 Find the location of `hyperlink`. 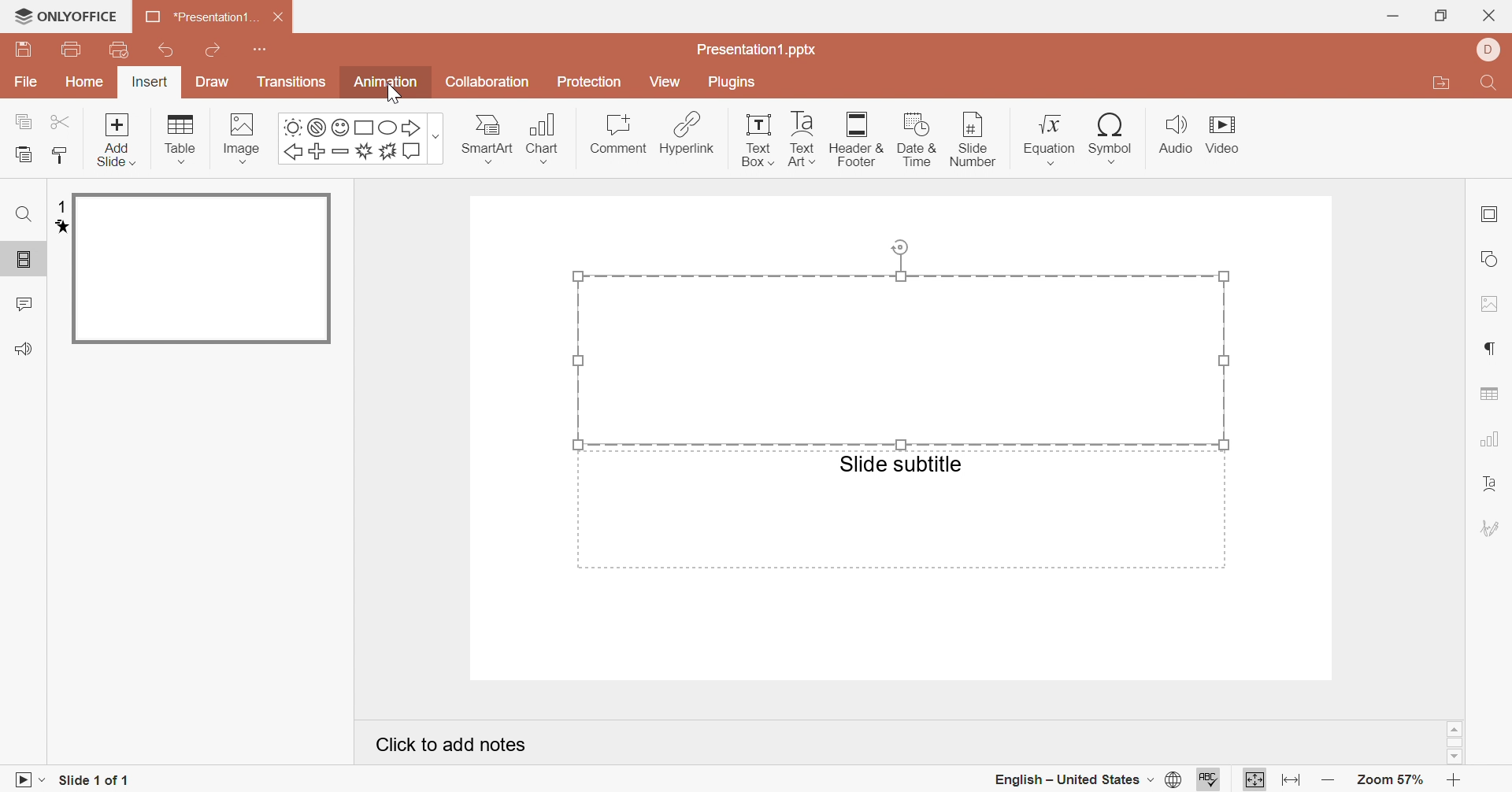

hyperlink is located at coordinates (686, 131).